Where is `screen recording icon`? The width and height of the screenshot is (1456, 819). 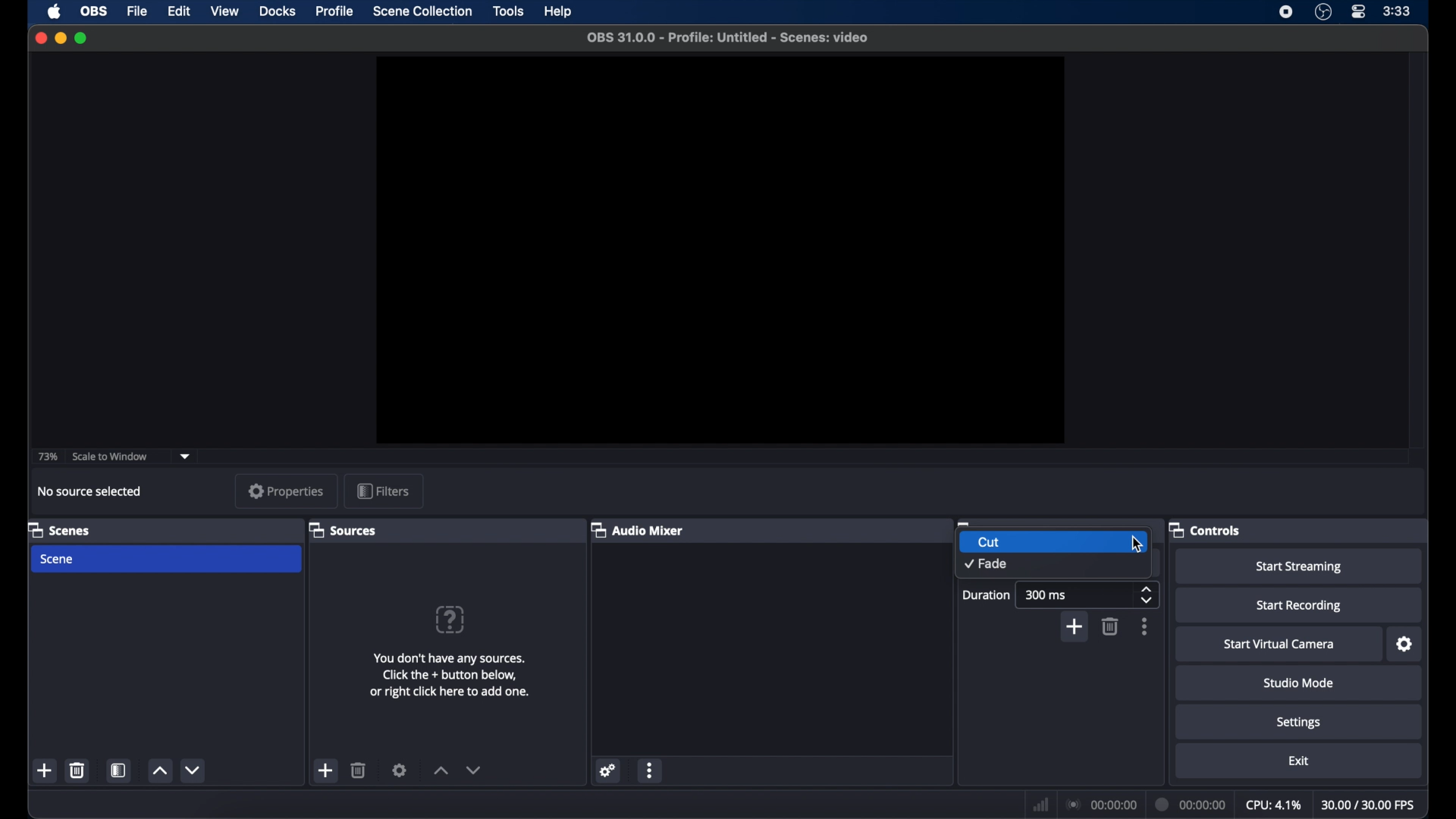
screen recording icon is located at coordinates (1286, 12).